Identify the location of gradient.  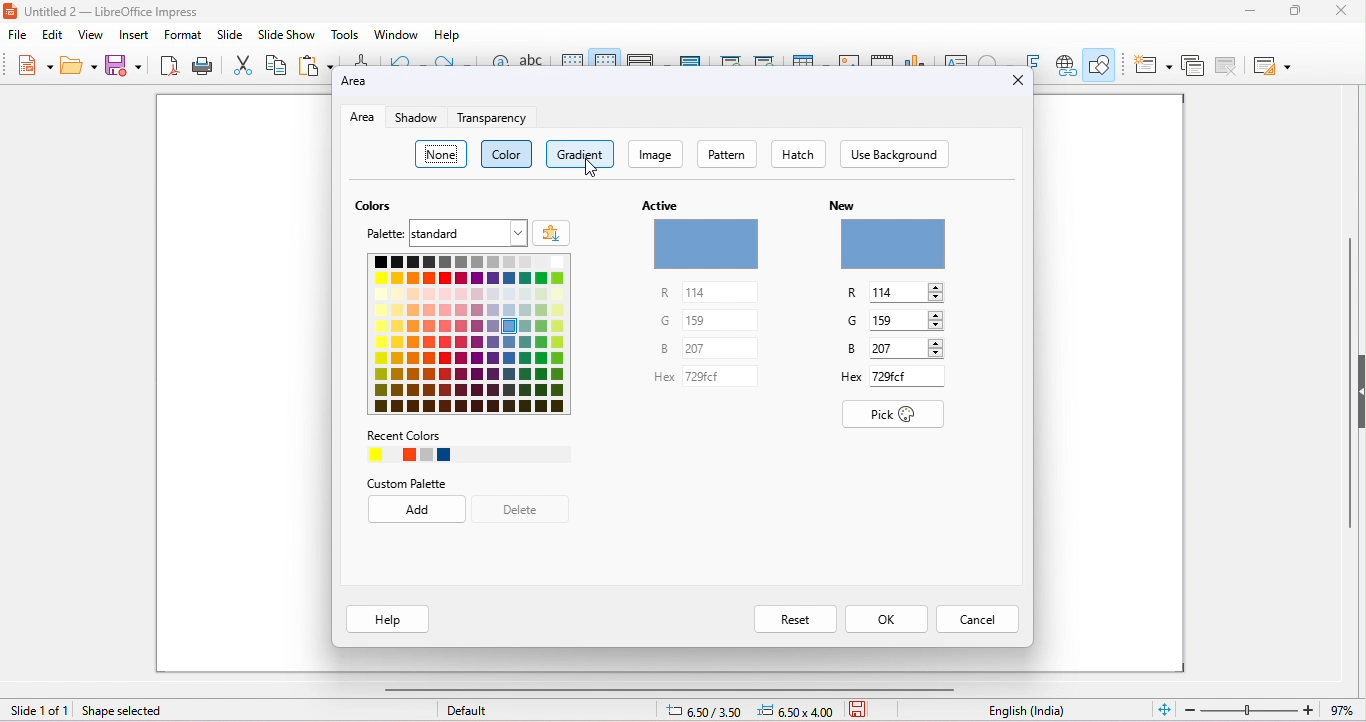
(579, 154).